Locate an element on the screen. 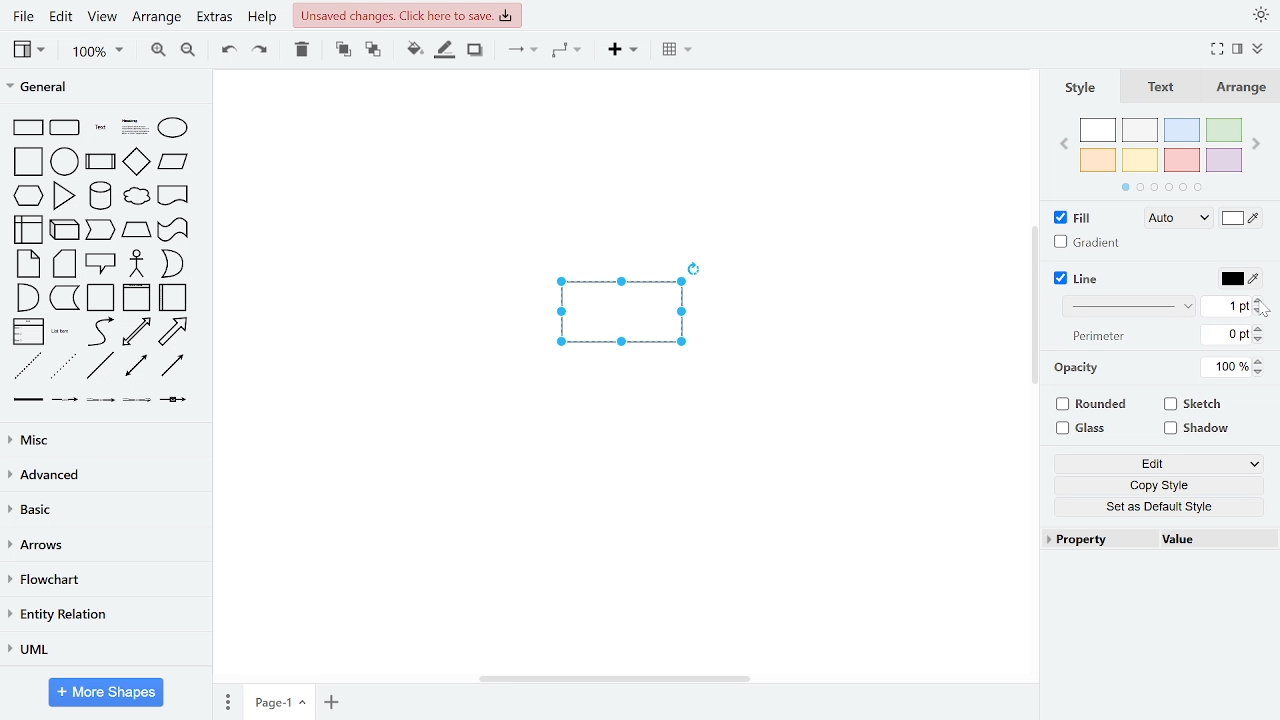 Image resolution: width=1280 pixels, height=720 pixels. line is located at coordinates (1078, 279).